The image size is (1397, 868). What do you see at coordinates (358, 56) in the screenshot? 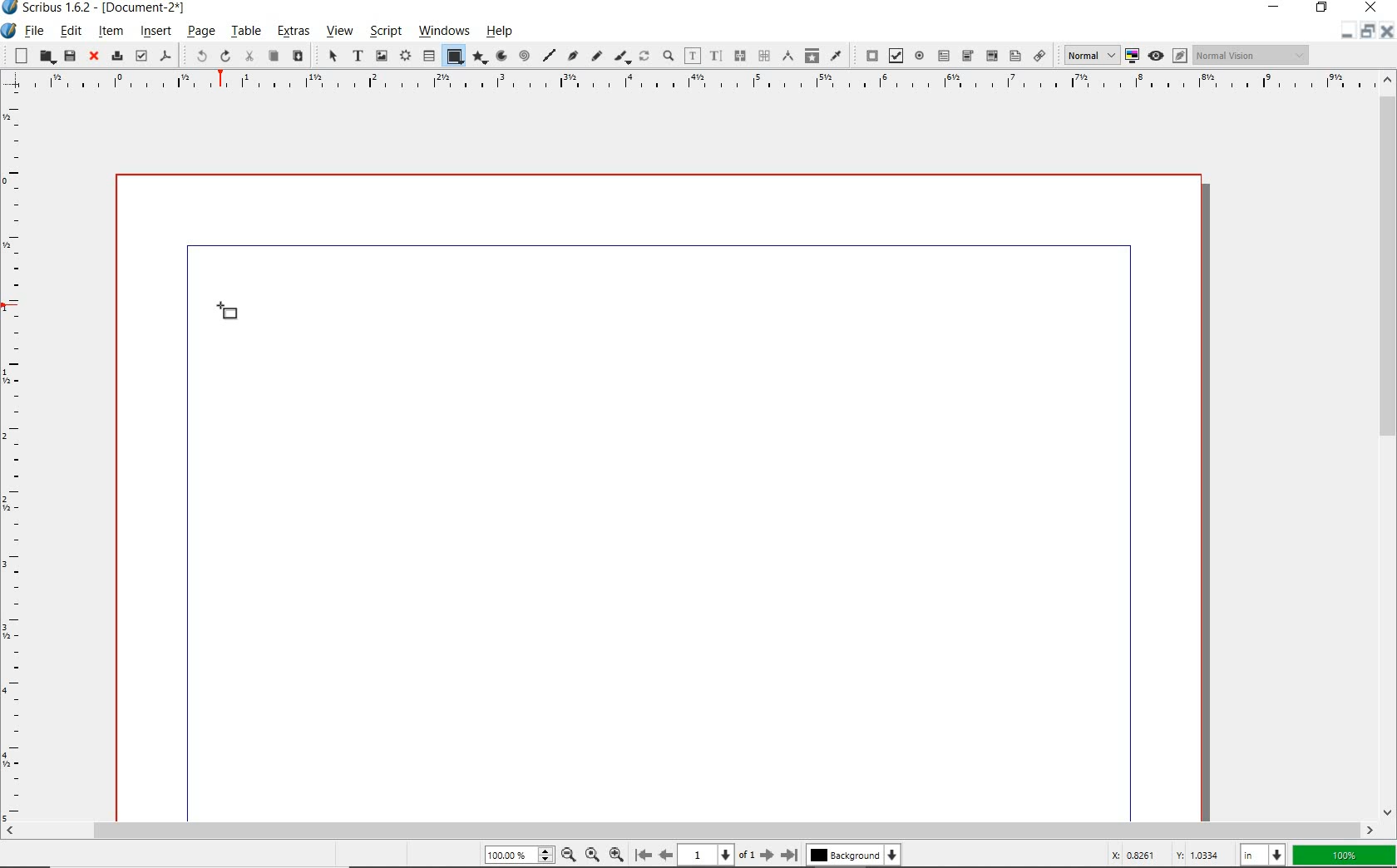
I see `text frame` at bounding box center [358, 56].